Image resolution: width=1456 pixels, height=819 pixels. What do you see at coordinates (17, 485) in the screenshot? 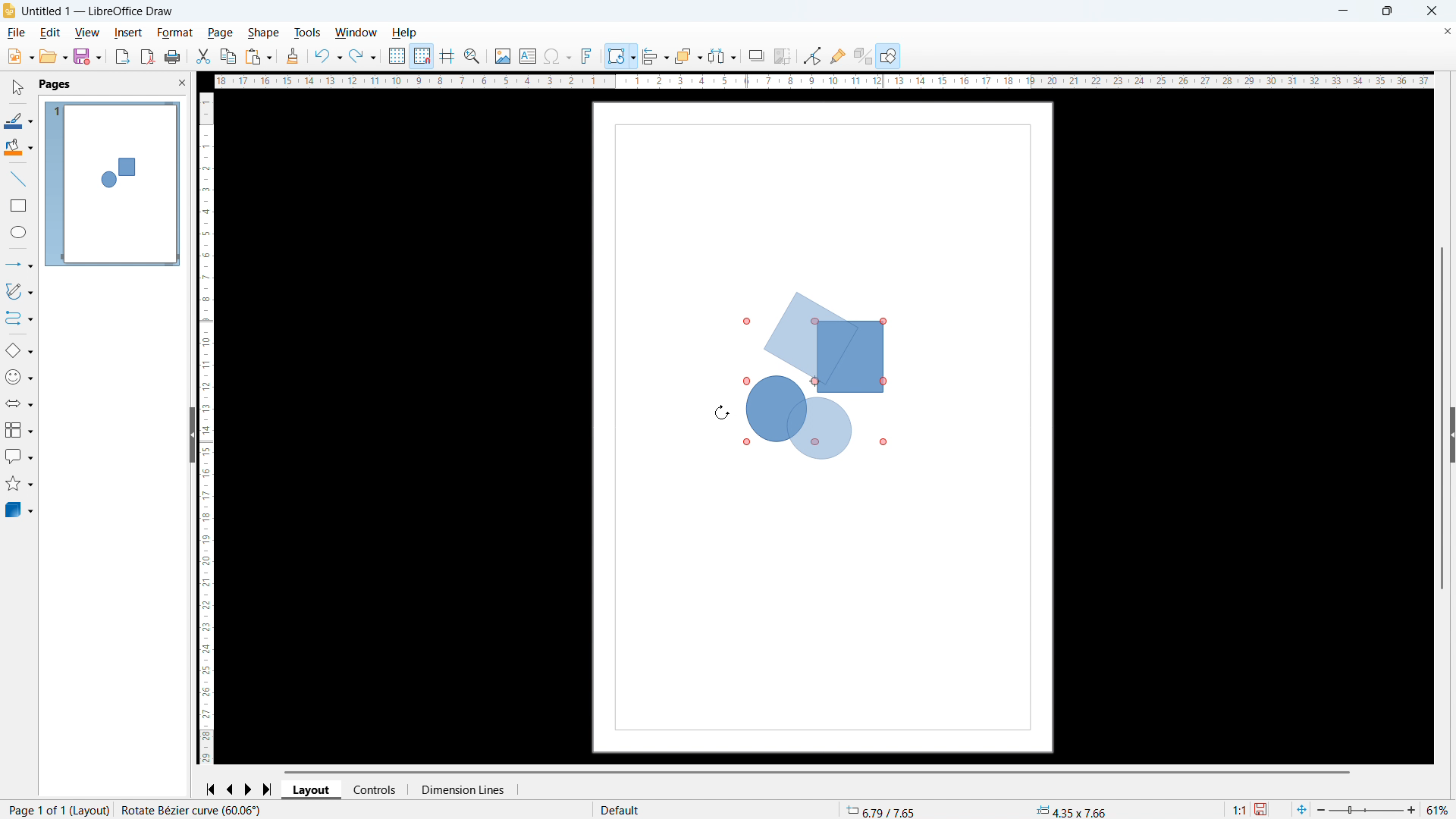
I see `Stars and banners ` at bounding box center [17, 485].